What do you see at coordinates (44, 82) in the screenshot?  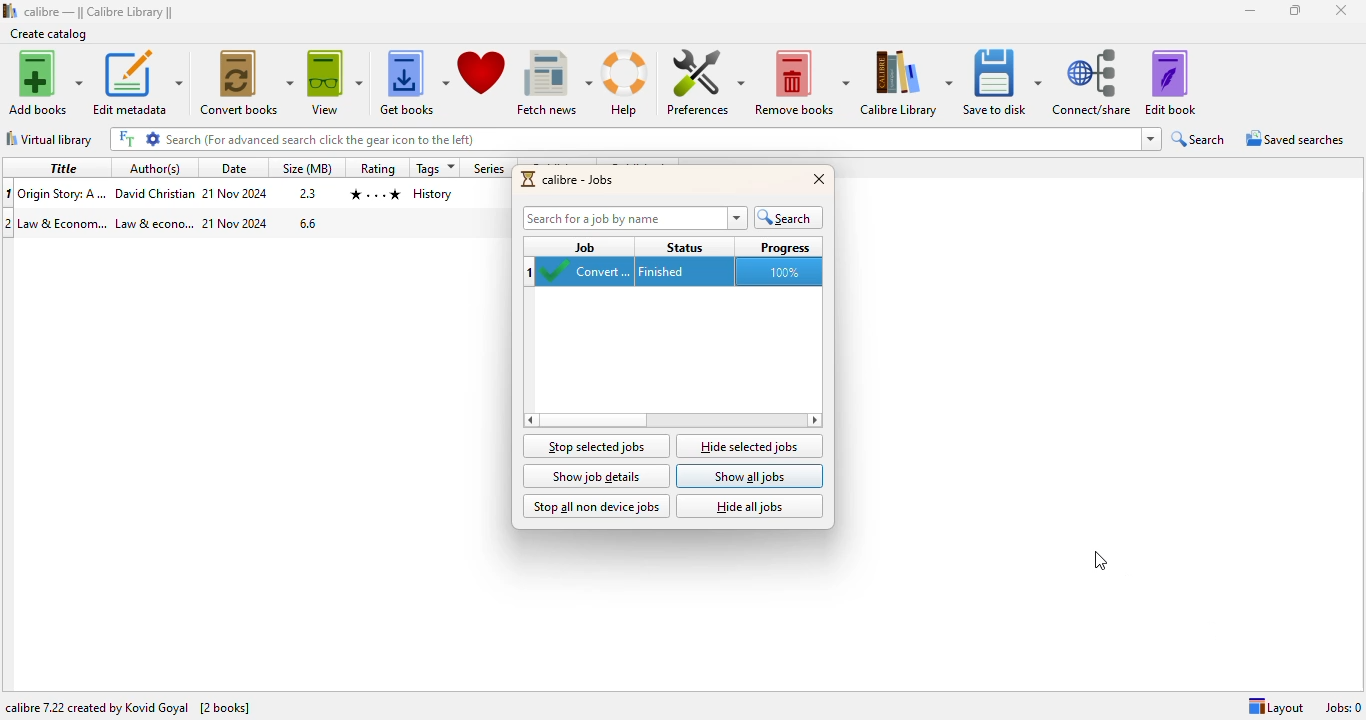 I see `add books` at bounding box center [44, 82].